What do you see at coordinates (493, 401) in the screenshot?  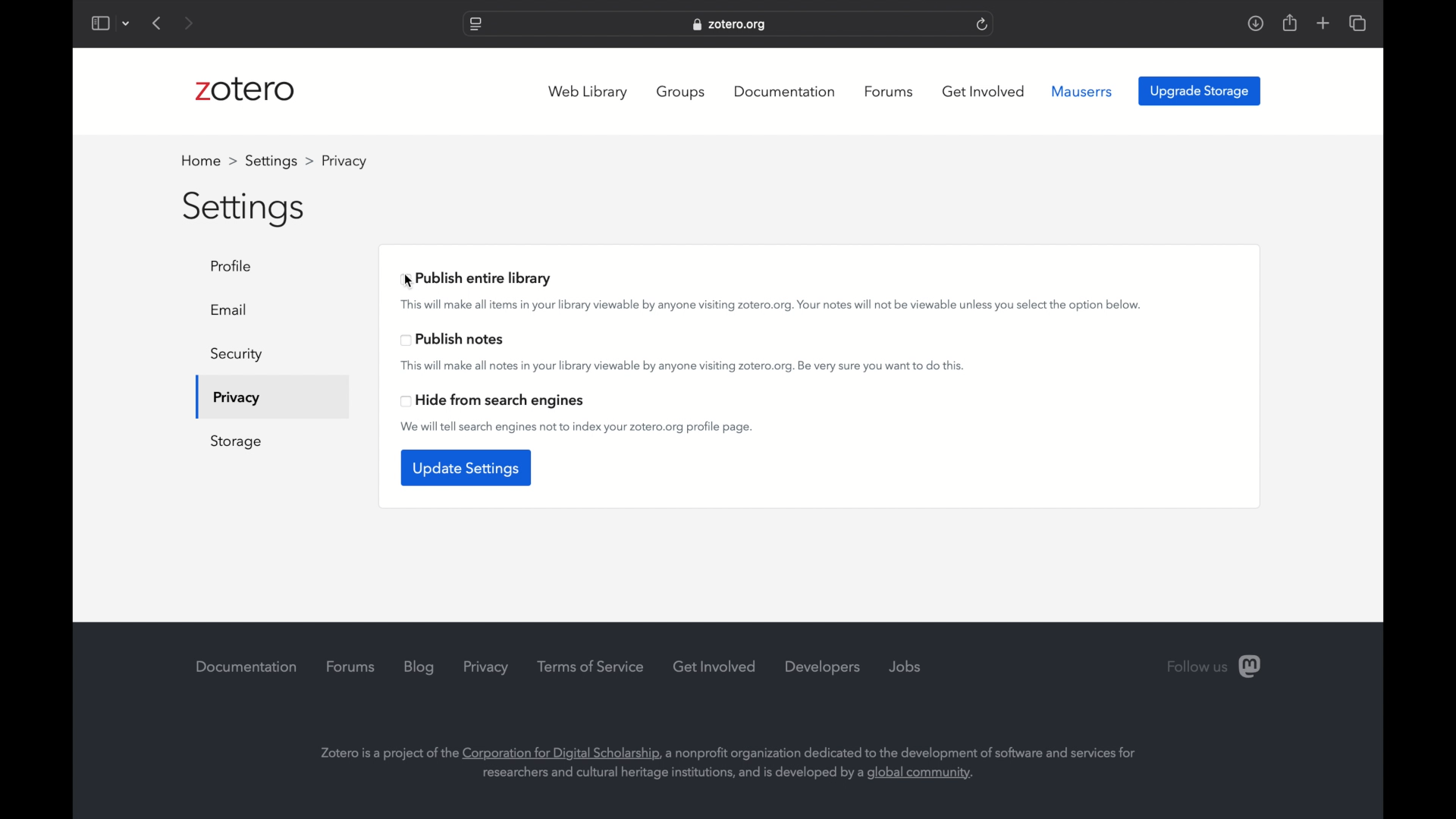 I see `head from search engines` at bounding box center [493, 401].